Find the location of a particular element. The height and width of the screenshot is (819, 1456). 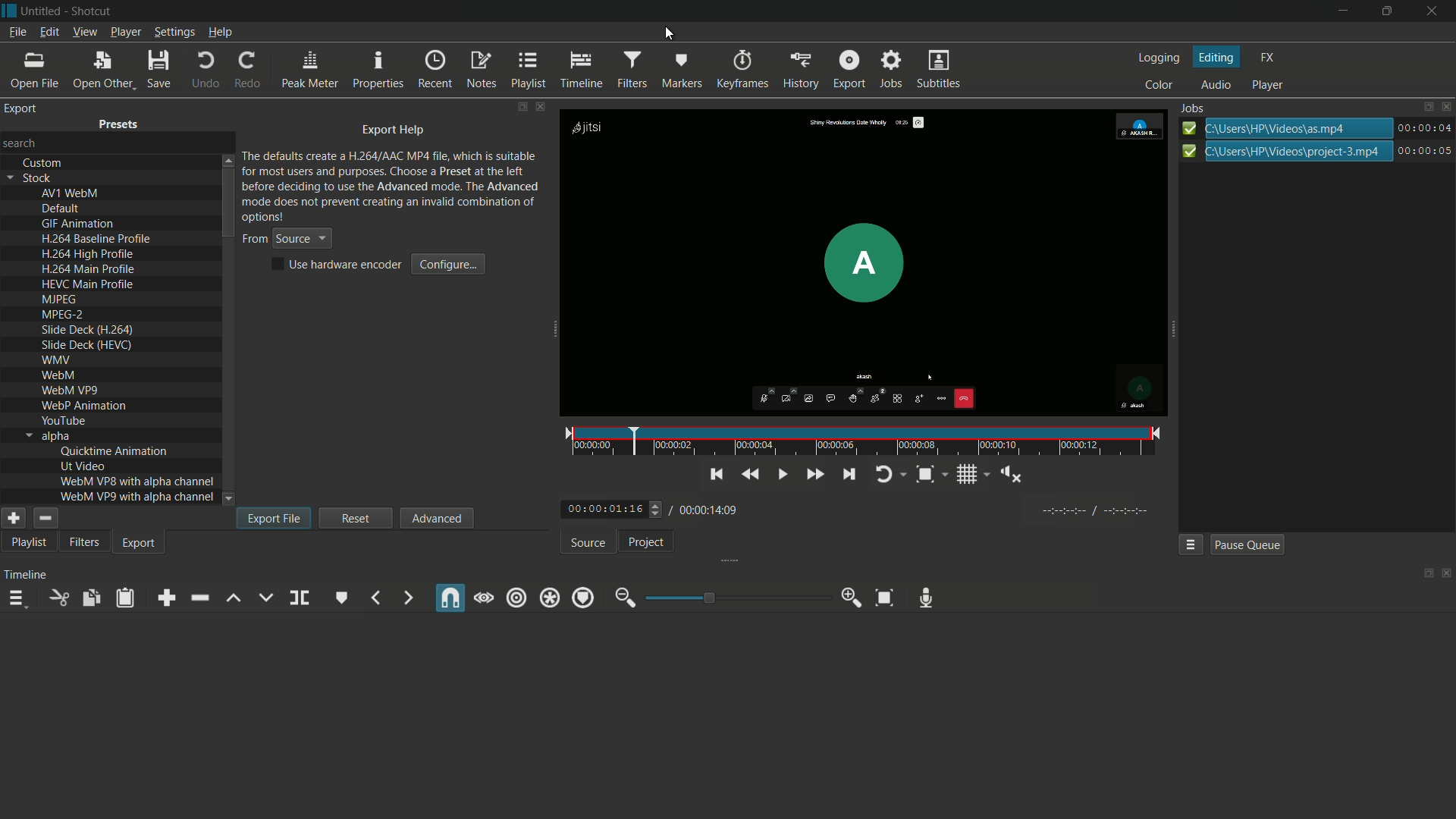

search
Custom =
~ Stock

AV1 WebM

Default

GIF Animation

H.264 Baseline Profile

H.264 High Profile

H.264 Main Profile

HEVC Main Profile

MIPEG

MPEG-2

Slide Deck (H.264)

Slide Deck (HEVC)

wmv

WebM

WebM VP9

WebP Animation

YouTube

~ alpha

Quicktime Animation
Ut Video
WebM VP8 with alpha channel
WebM VP9 with alpha channel |v is located at coordinates (113, 317).